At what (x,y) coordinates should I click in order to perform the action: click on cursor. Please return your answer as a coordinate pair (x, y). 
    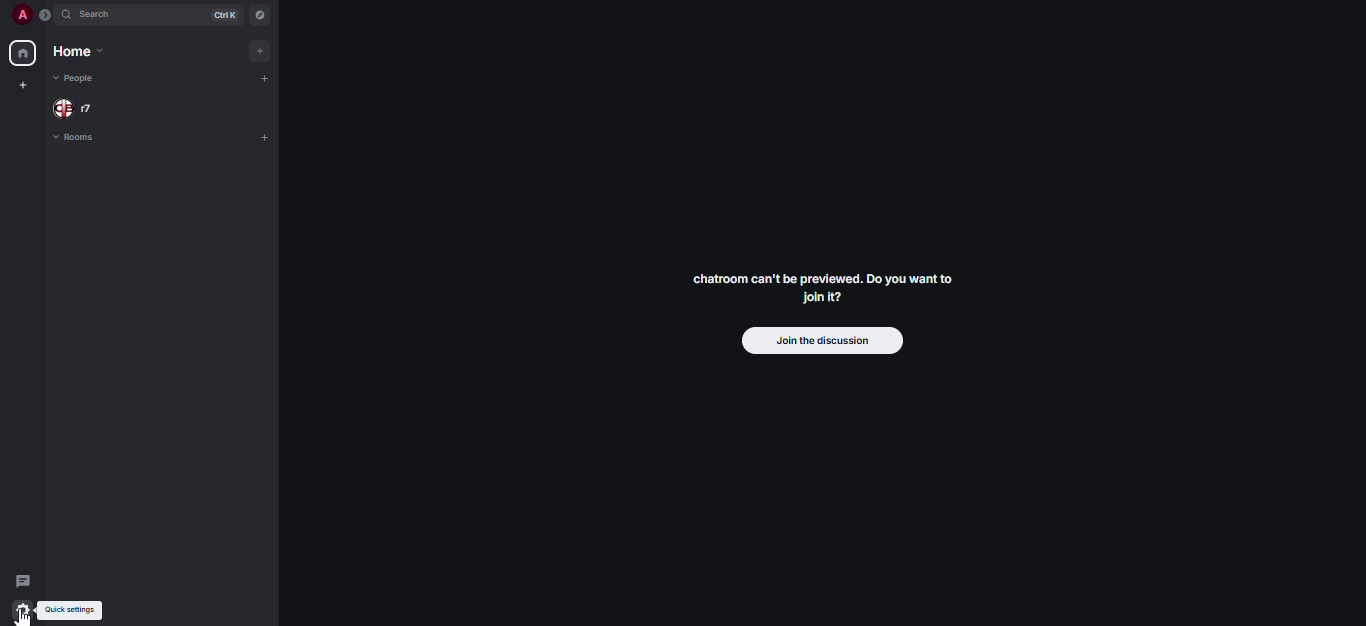
    Looking at the image, I should click on (24, 616).